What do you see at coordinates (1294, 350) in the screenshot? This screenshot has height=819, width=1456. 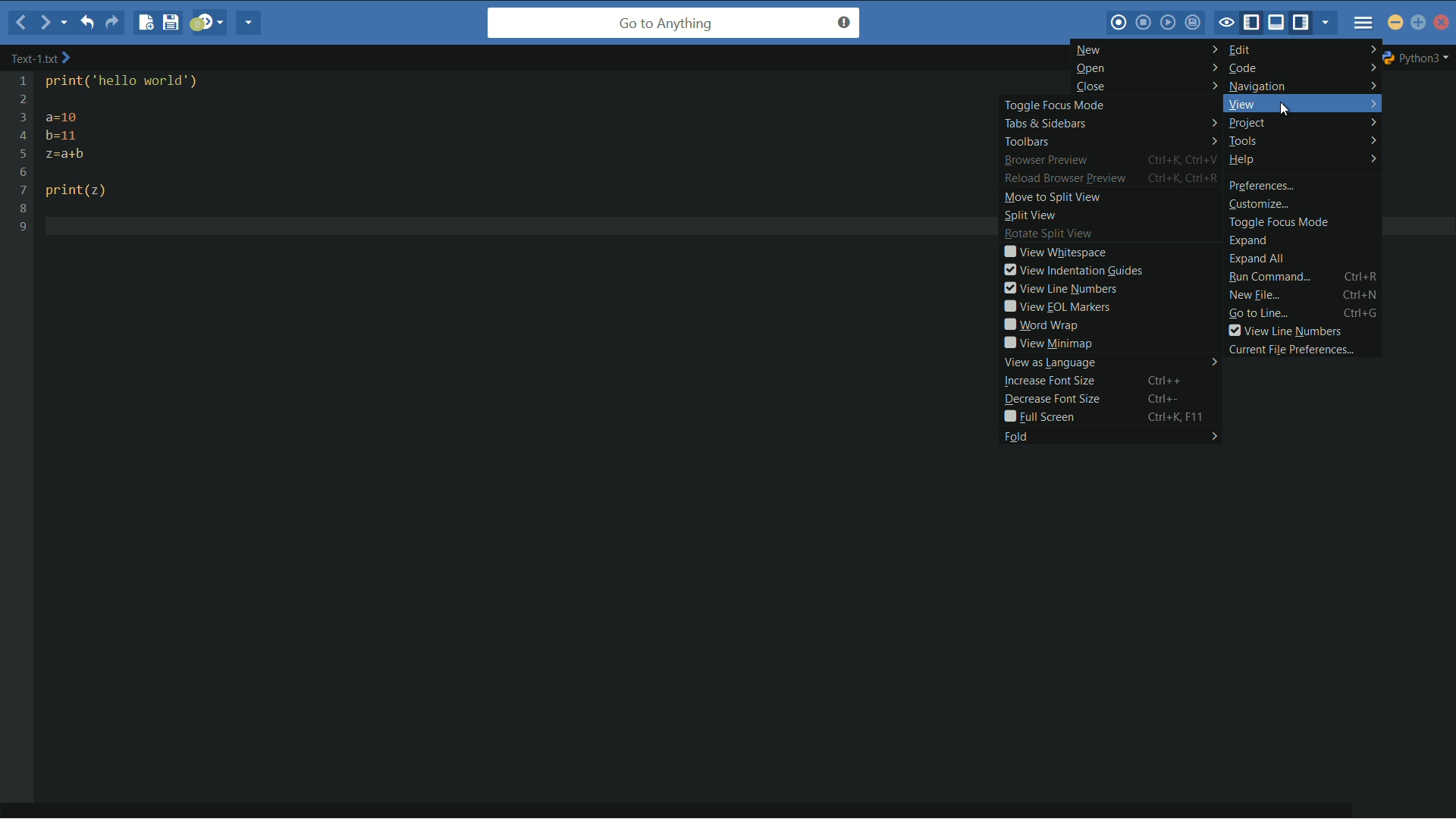 I see `current file preferences` at bounding box center [1294, 350].